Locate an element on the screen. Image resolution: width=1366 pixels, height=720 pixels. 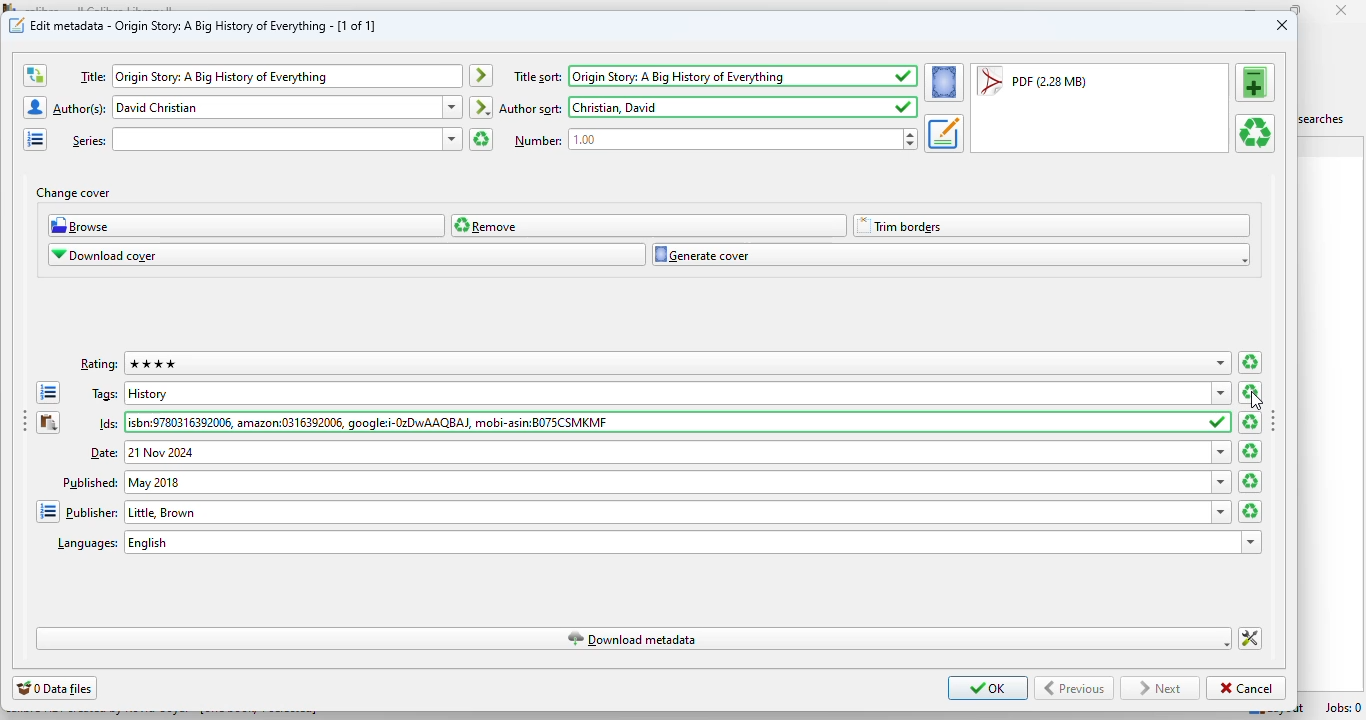
set the metadata of the book from the selected format is located at coordinates (944, 134).